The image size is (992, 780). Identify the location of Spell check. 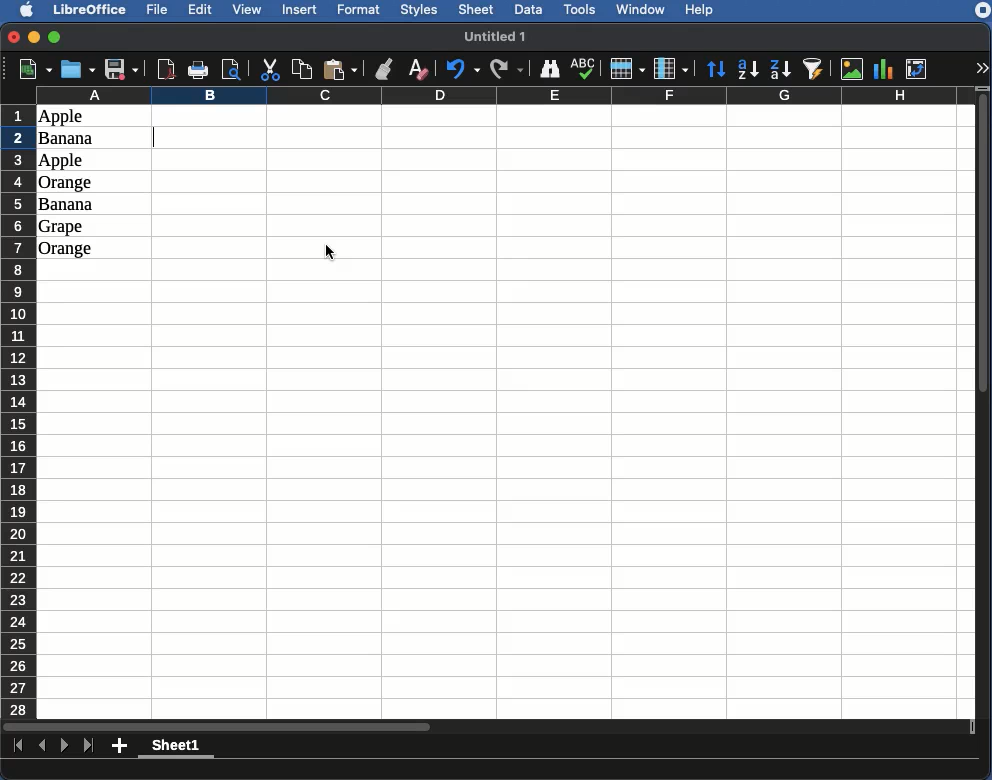
(583, 69).